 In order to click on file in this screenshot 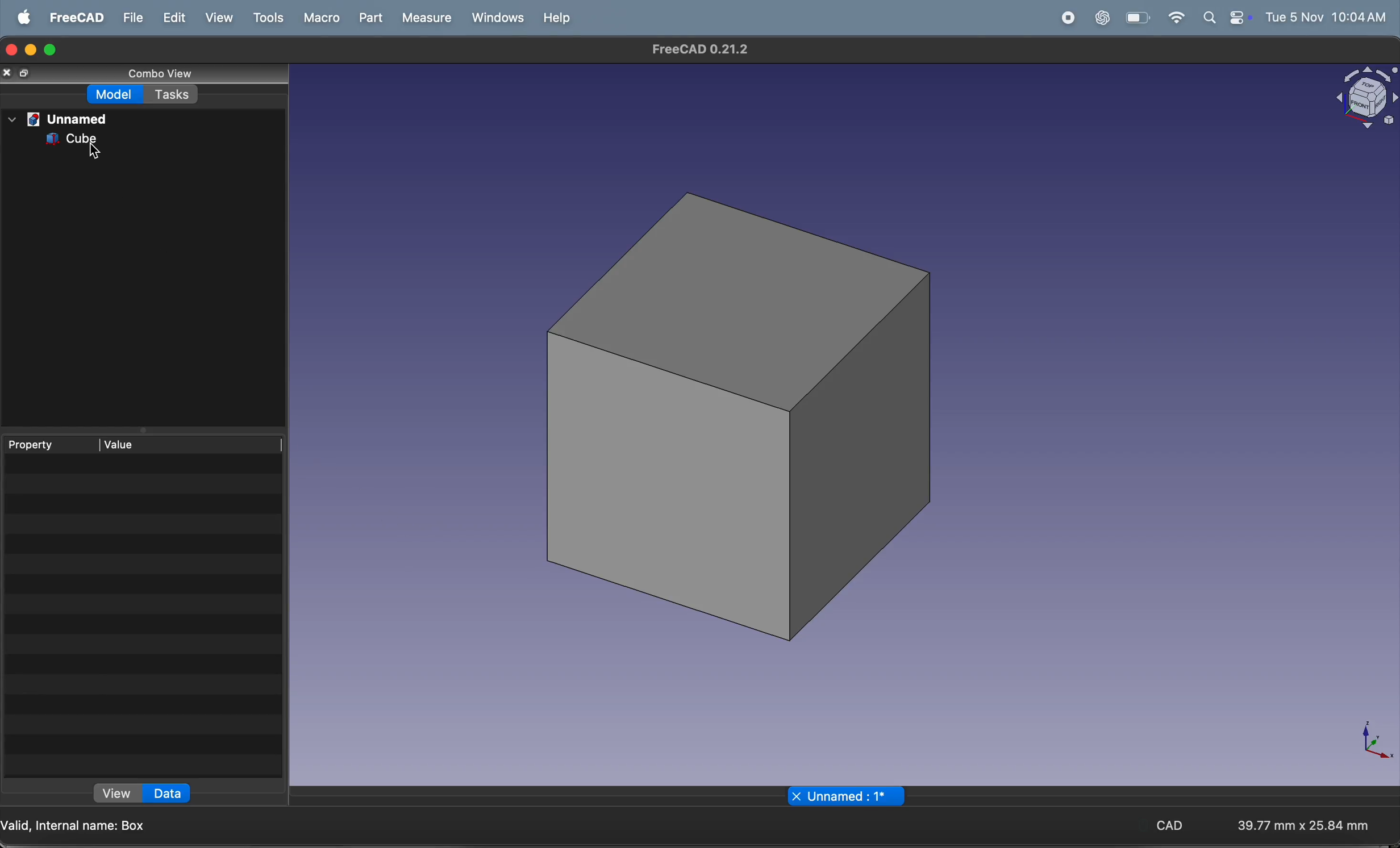, I will do `click(127, 18)`.